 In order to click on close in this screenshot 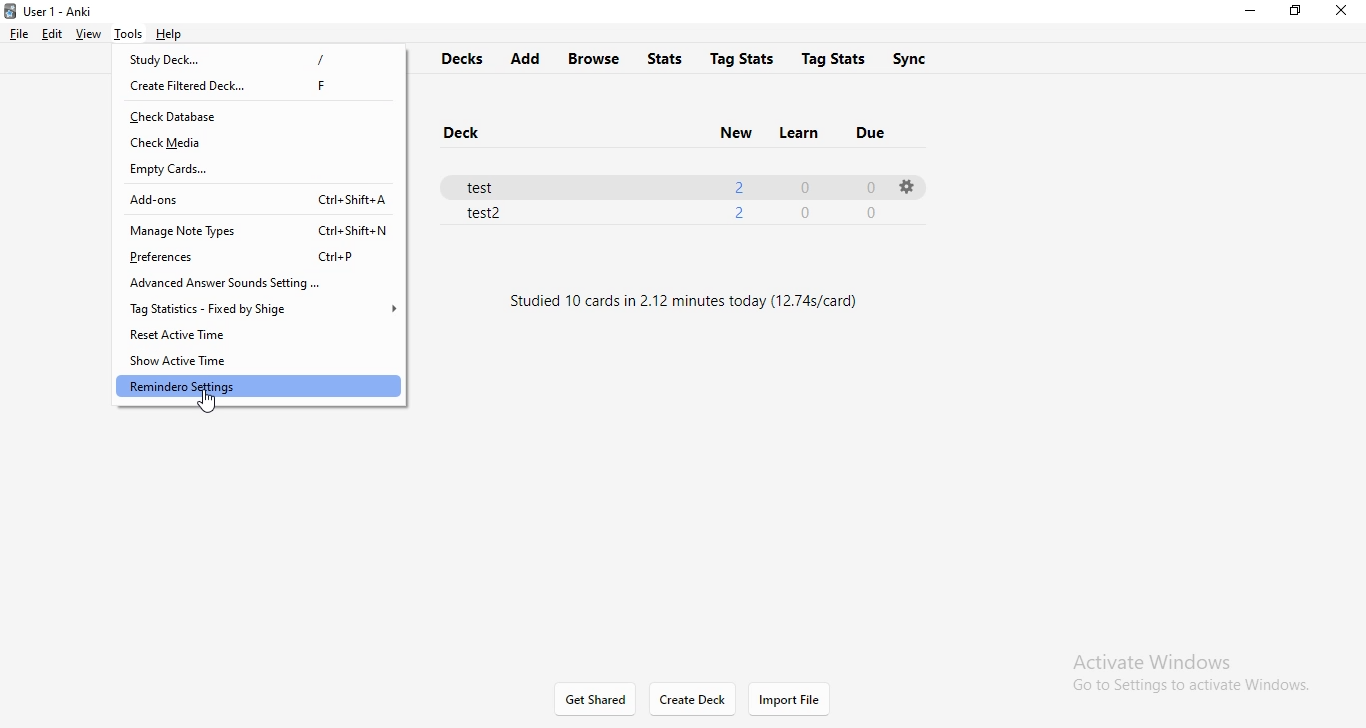, I will do `click(1345, 11)`.